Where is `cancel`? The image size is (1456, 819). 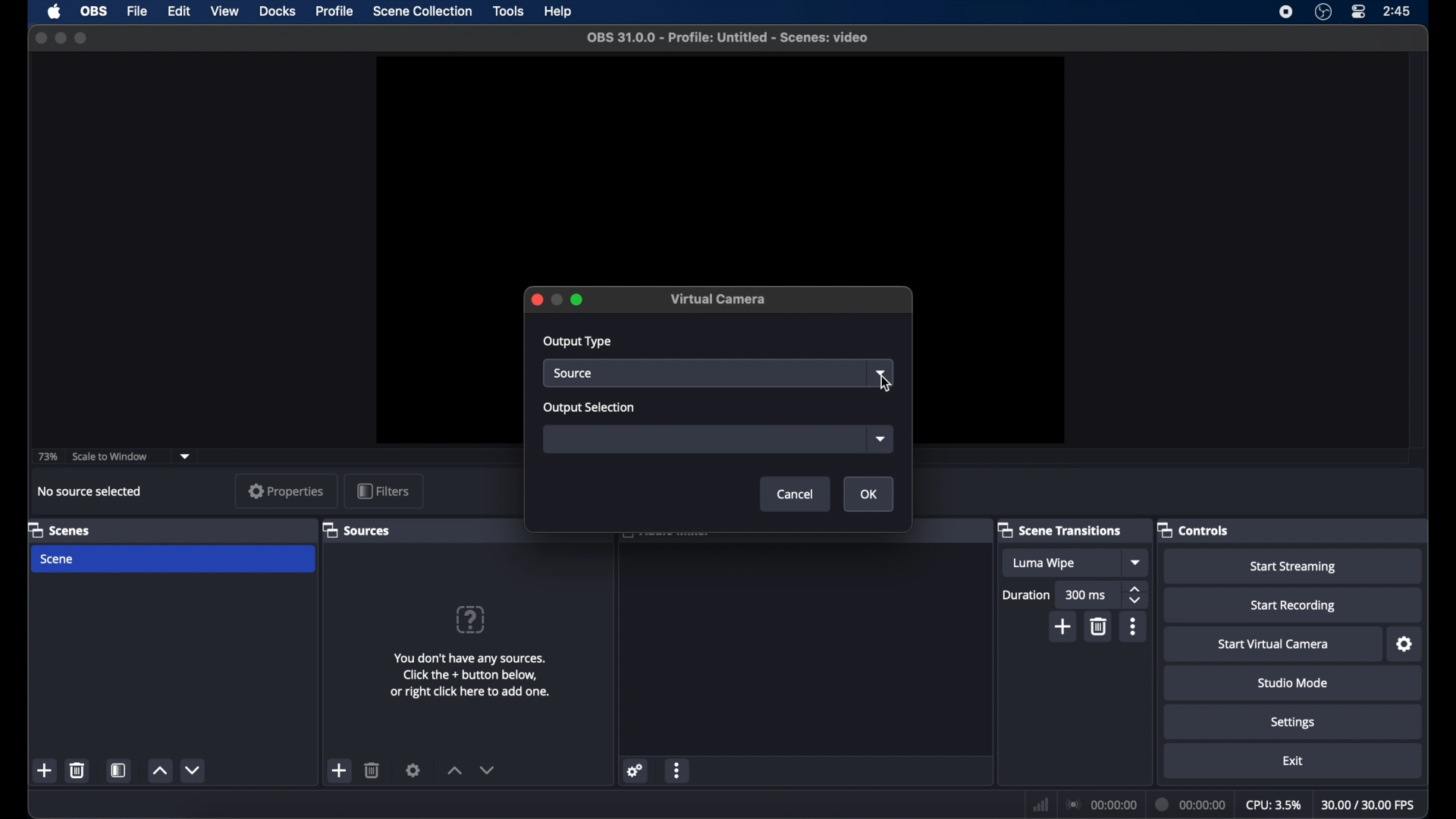
cancel is located at coordinates (795, 494).